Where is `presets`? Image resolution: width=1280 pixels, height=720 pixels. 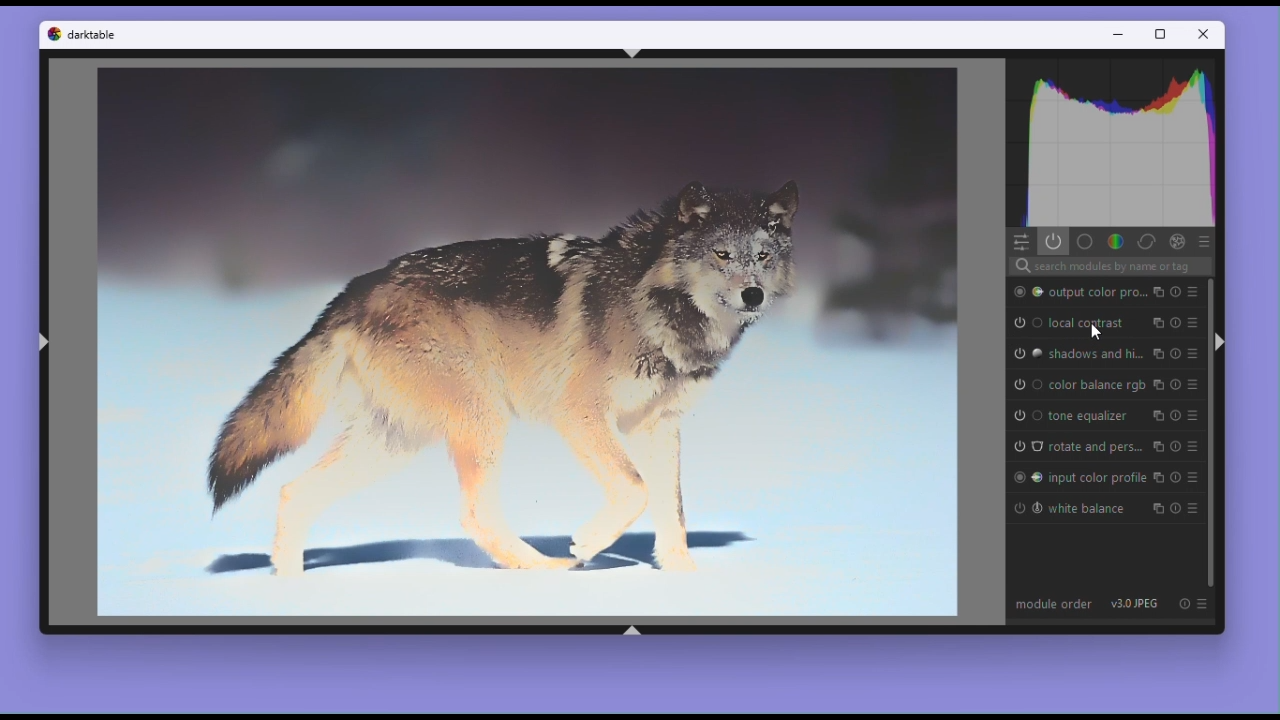 presets is located at coordinates (1199, 473).